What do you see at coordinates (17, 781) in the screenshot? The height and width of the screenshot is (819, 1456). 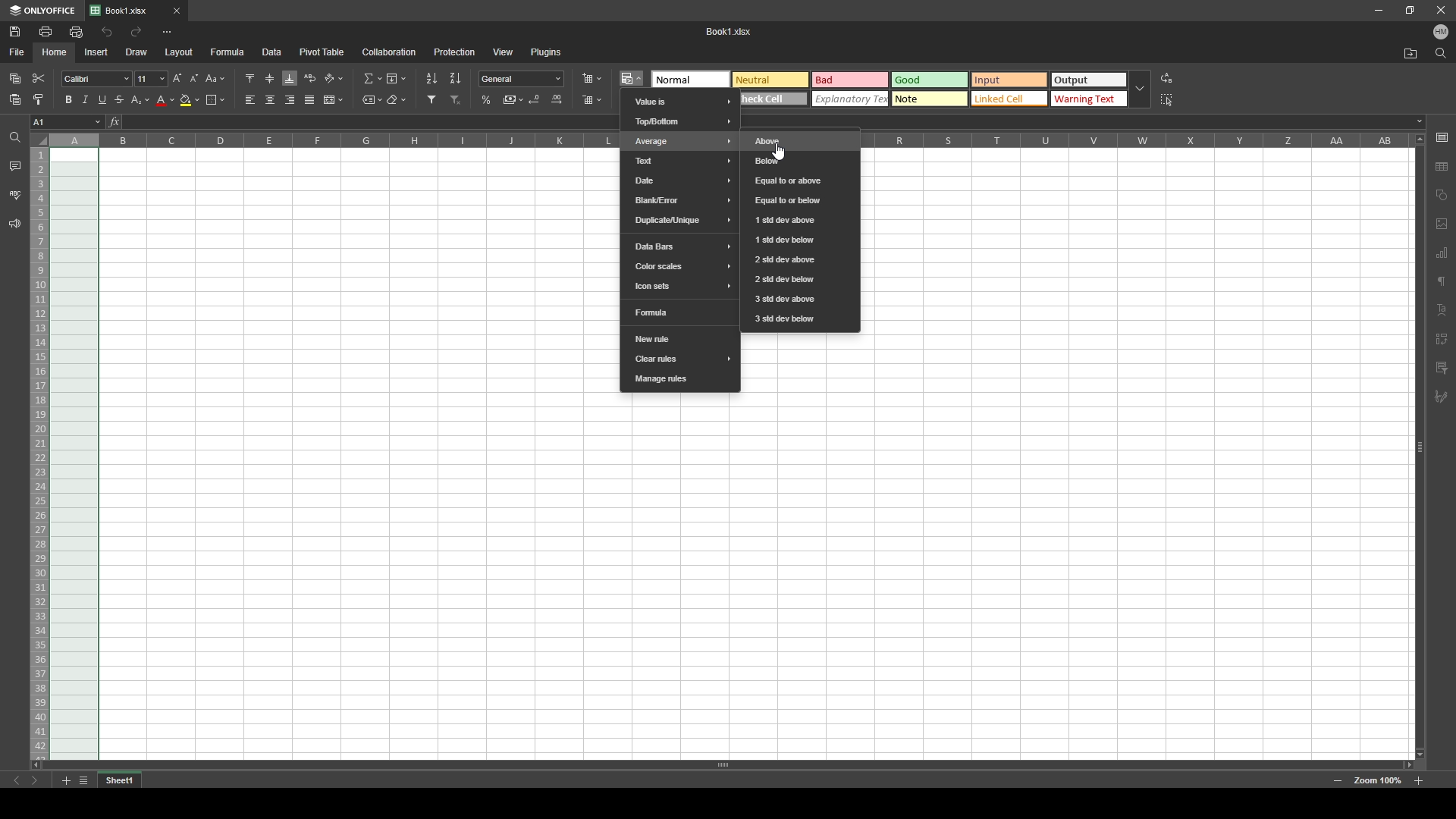 I see `previous` at bounding box center [17, 781].